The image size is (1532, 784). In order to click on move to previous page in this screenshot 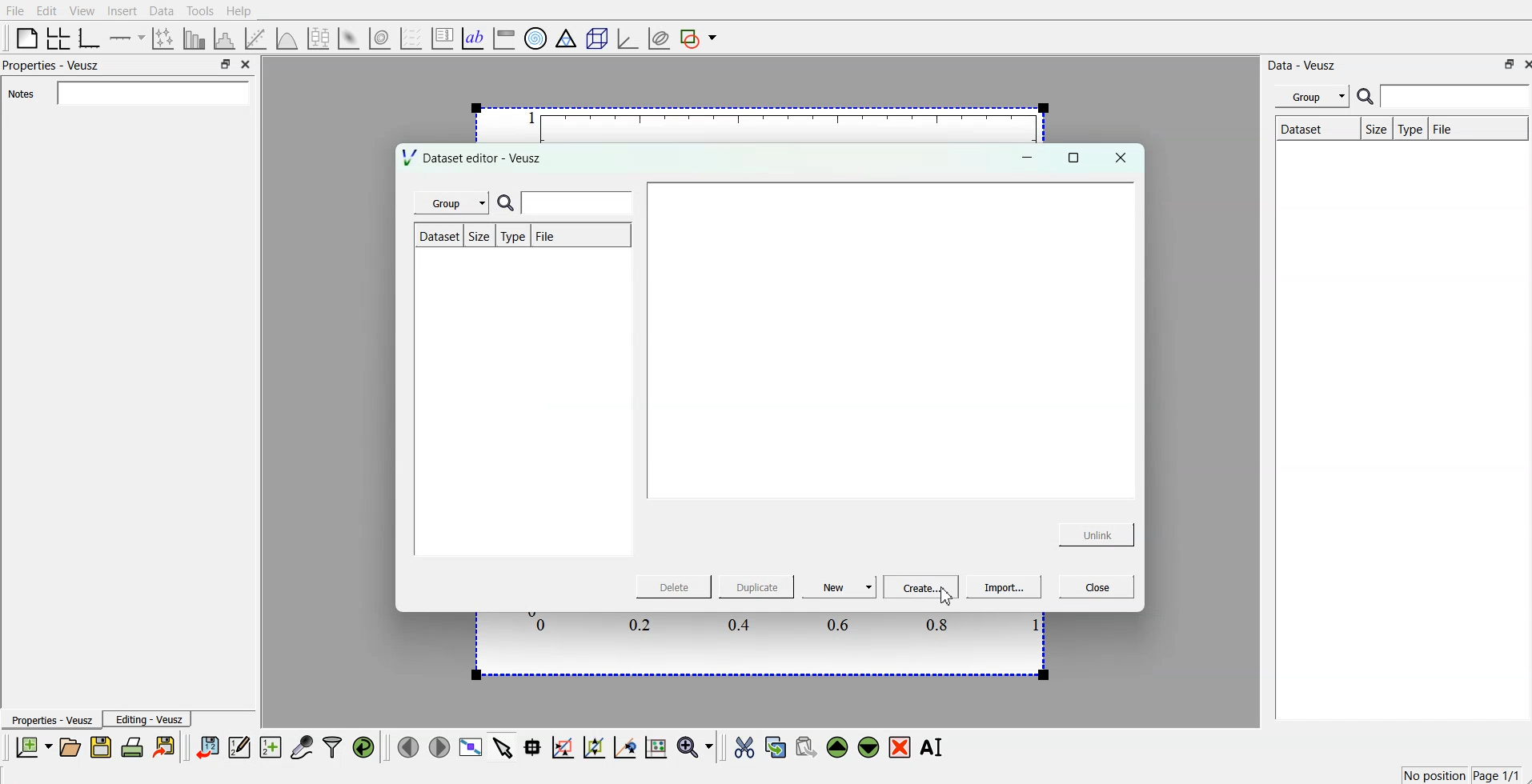, I will do `click(409, 746)`.